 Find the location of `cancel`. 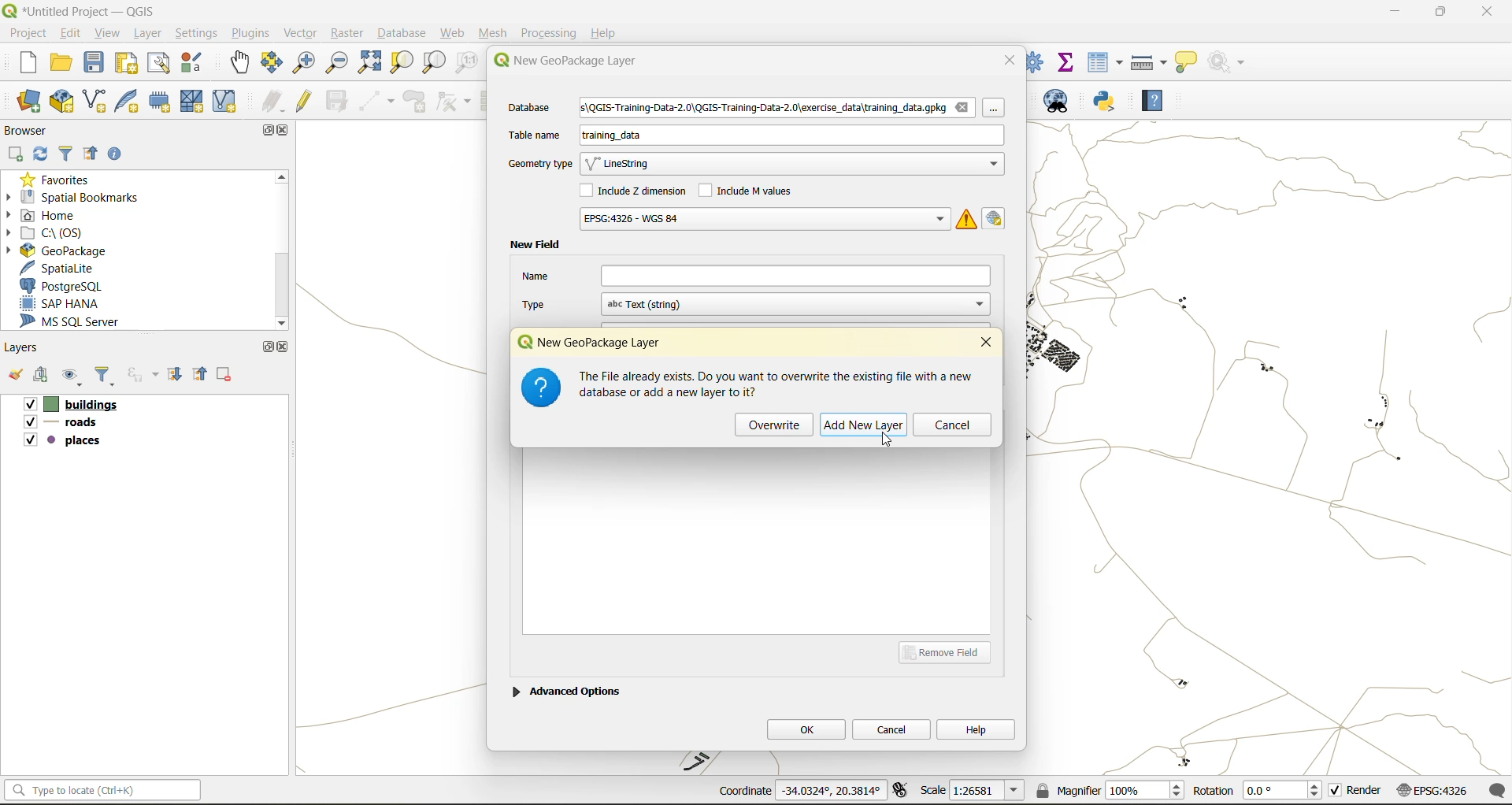

cancel is located at coordinates (952, 426).